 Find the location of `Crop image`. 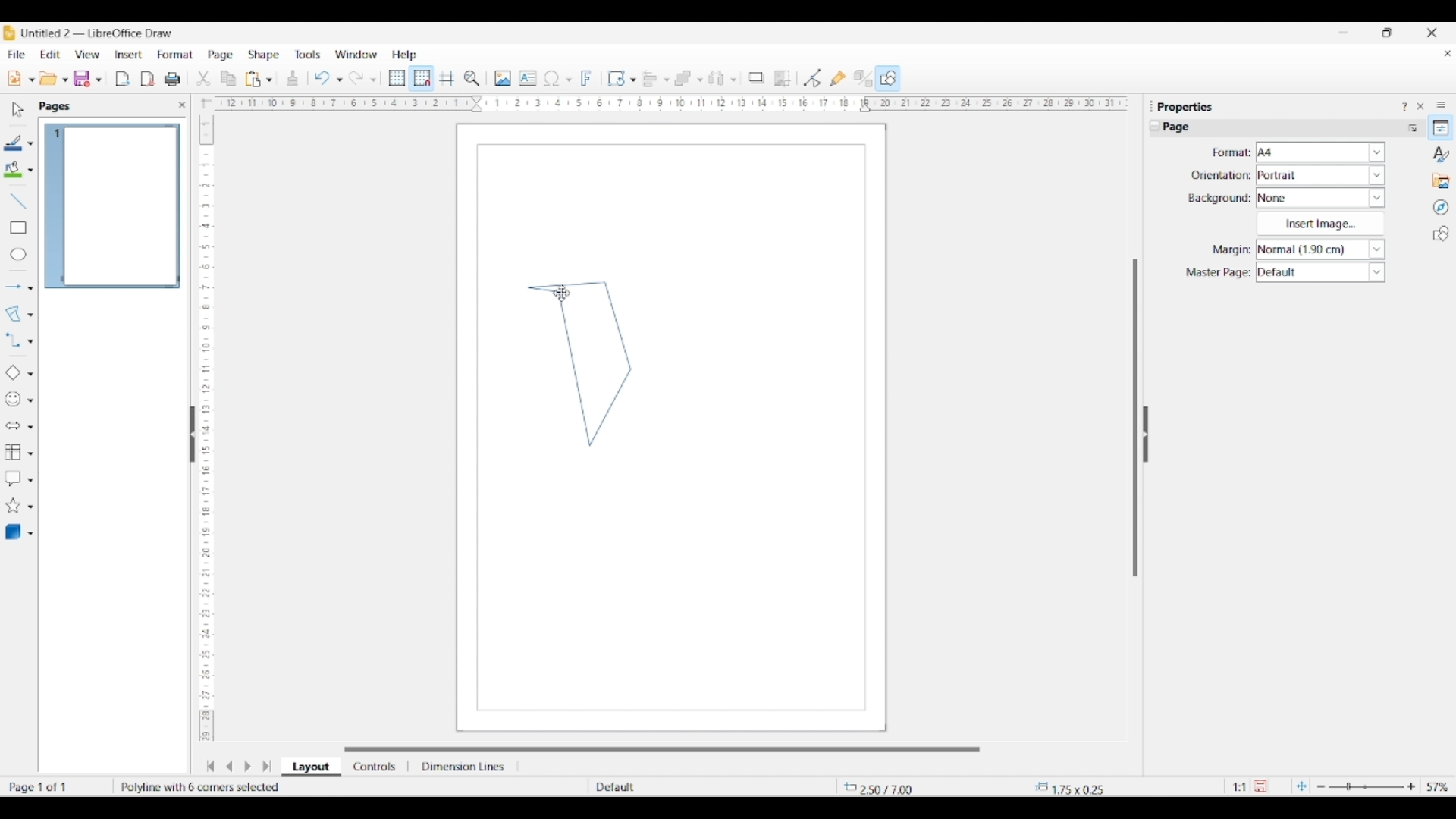

Crop image is located at coordinates (783, 78).